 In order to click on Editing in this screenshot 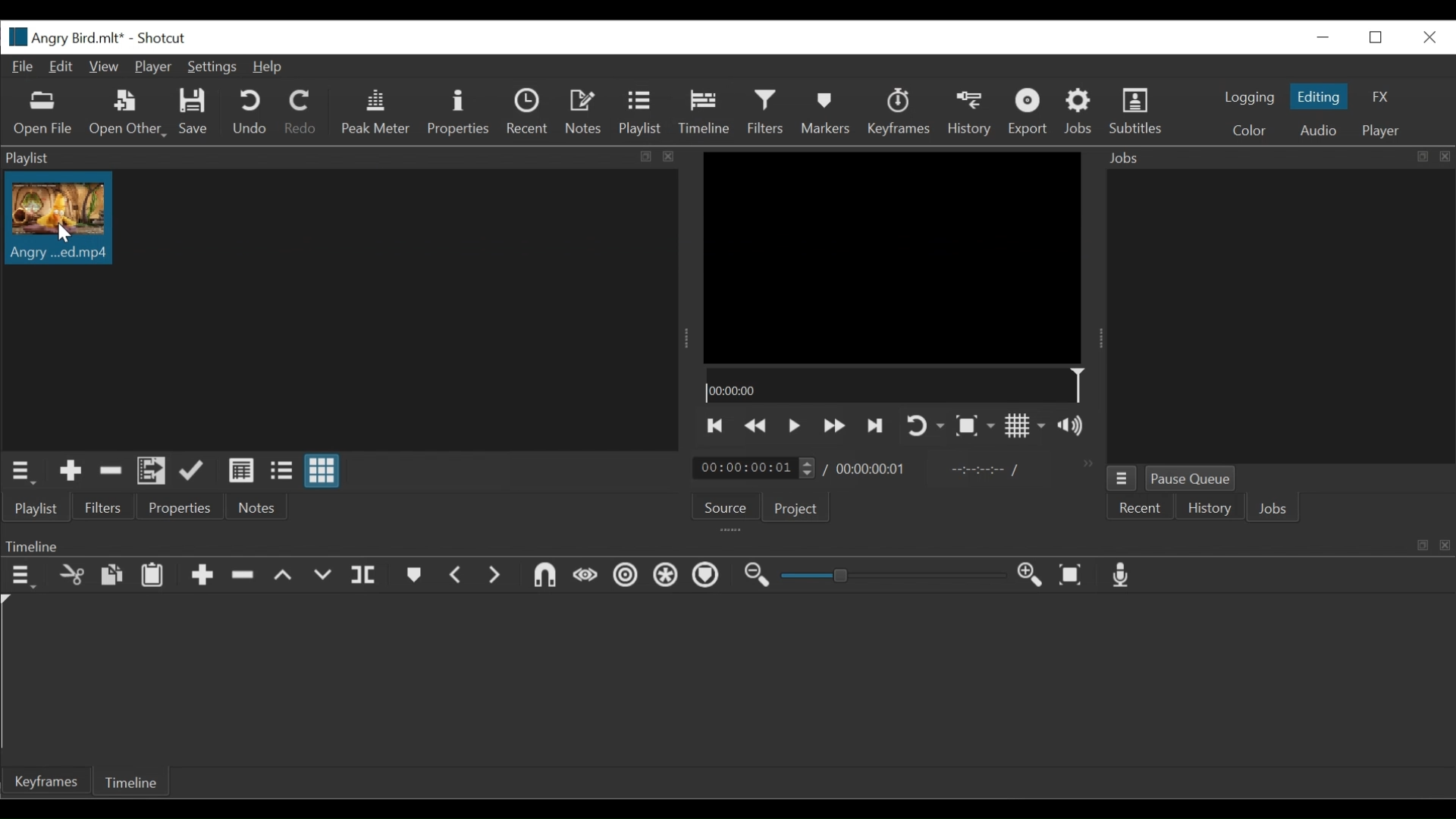, I will do `click(1319, 96)`.